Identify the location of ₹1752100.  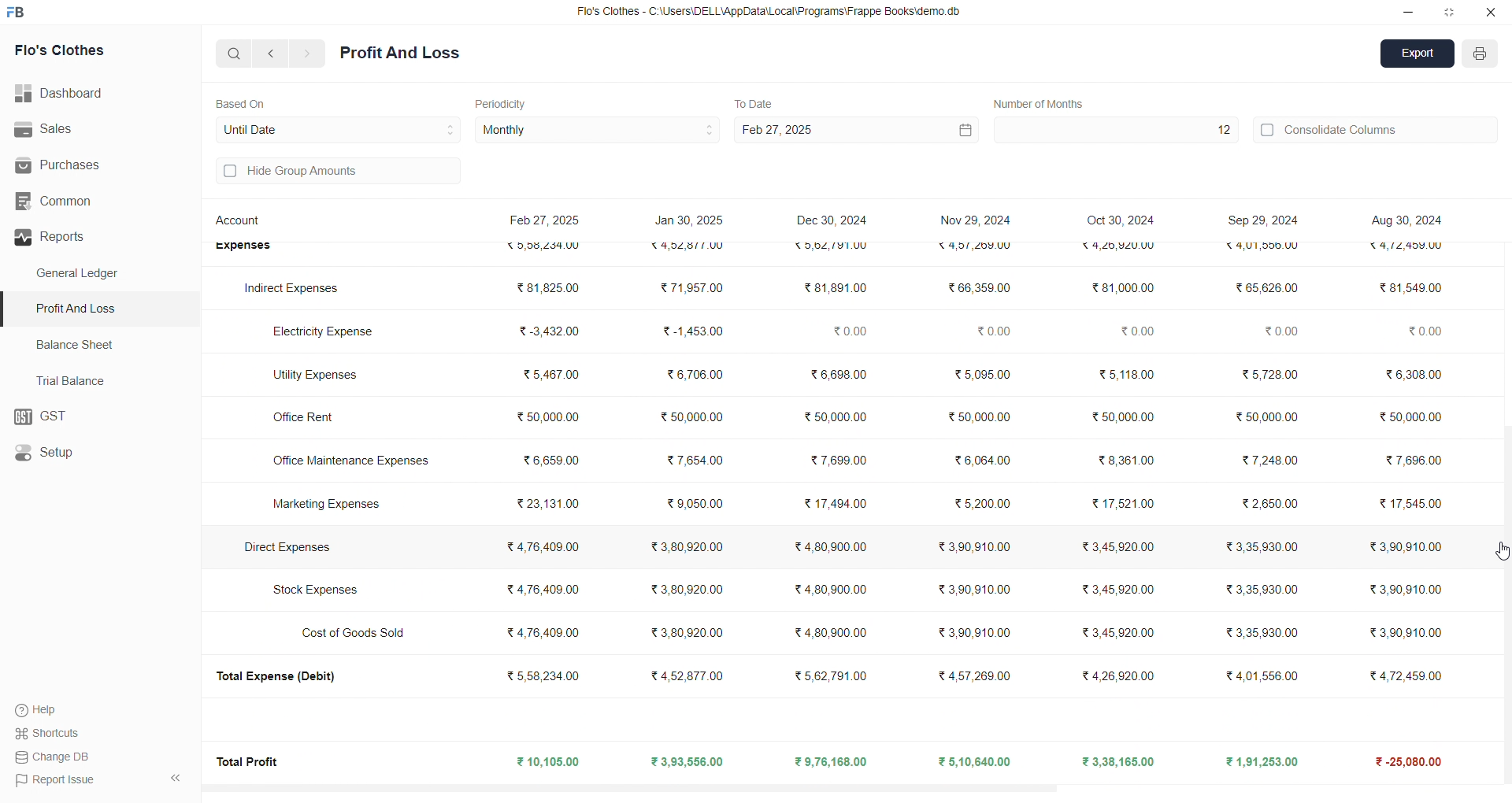
(1125, 504).